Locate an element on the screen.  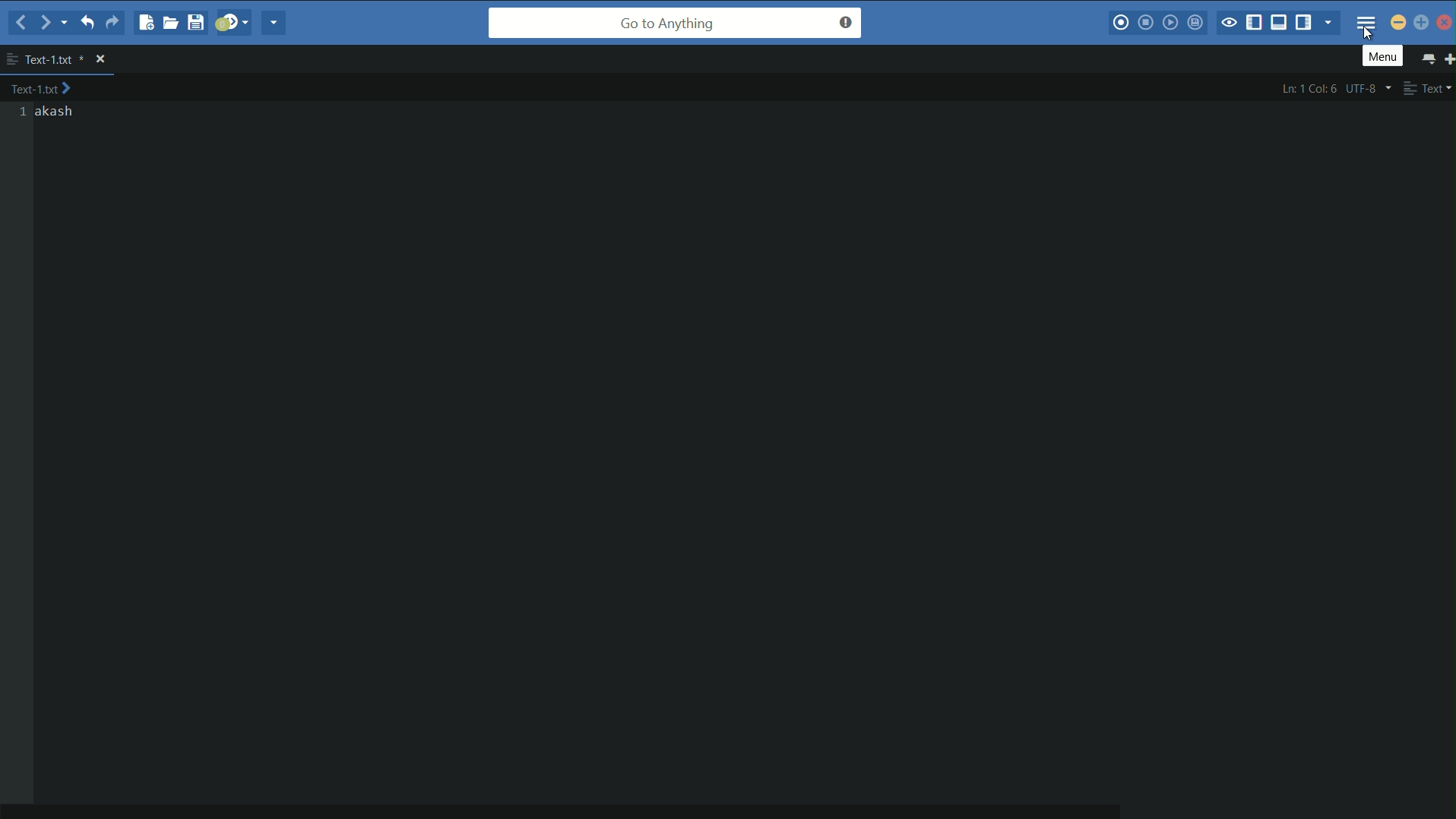
show/hide right panel is located at coordinates (1306, 21).